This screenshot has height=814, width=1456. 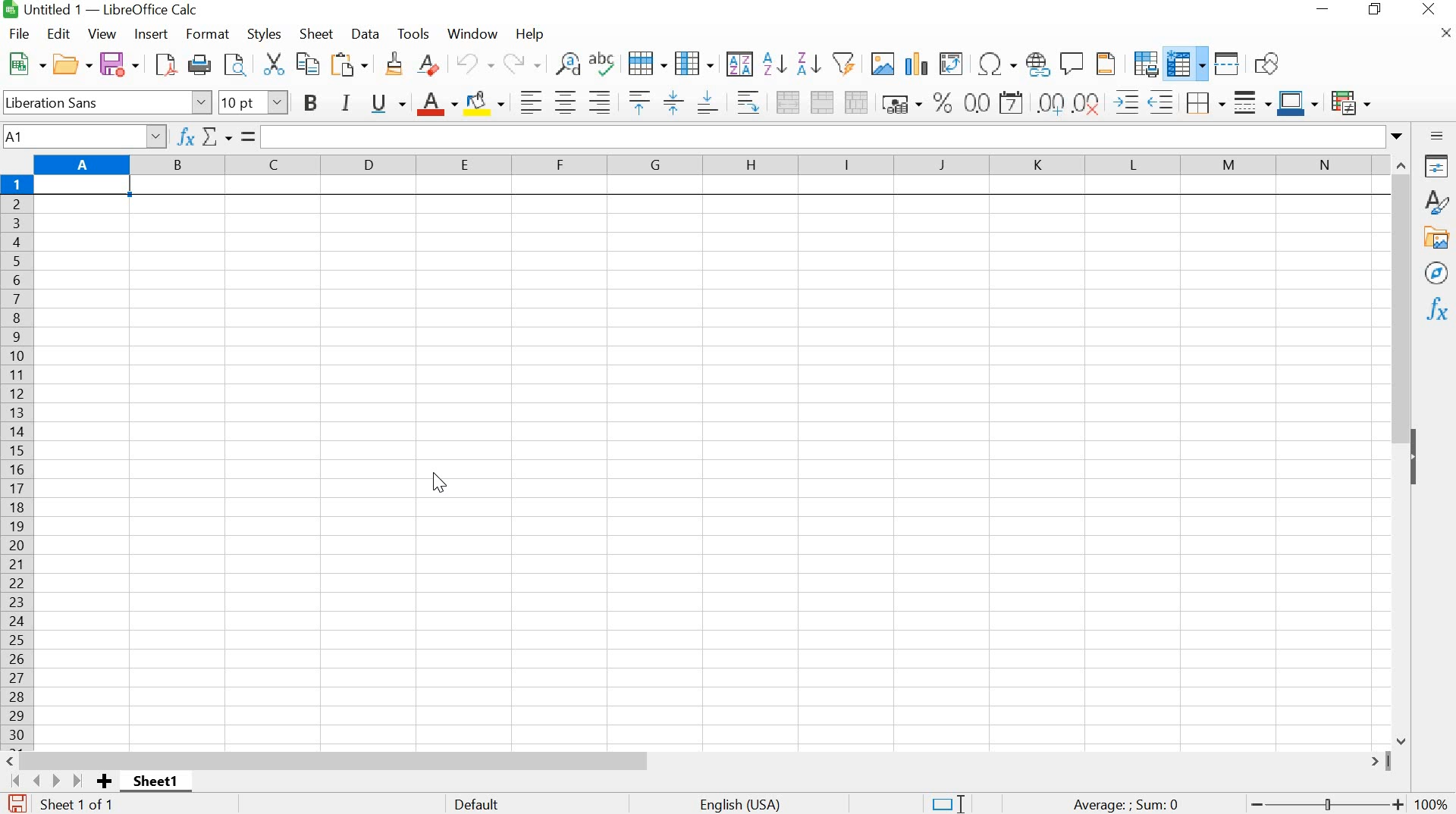 I want to click on INSERT OR EDIT PIVOT TABLE, so click(x=951, y=64).